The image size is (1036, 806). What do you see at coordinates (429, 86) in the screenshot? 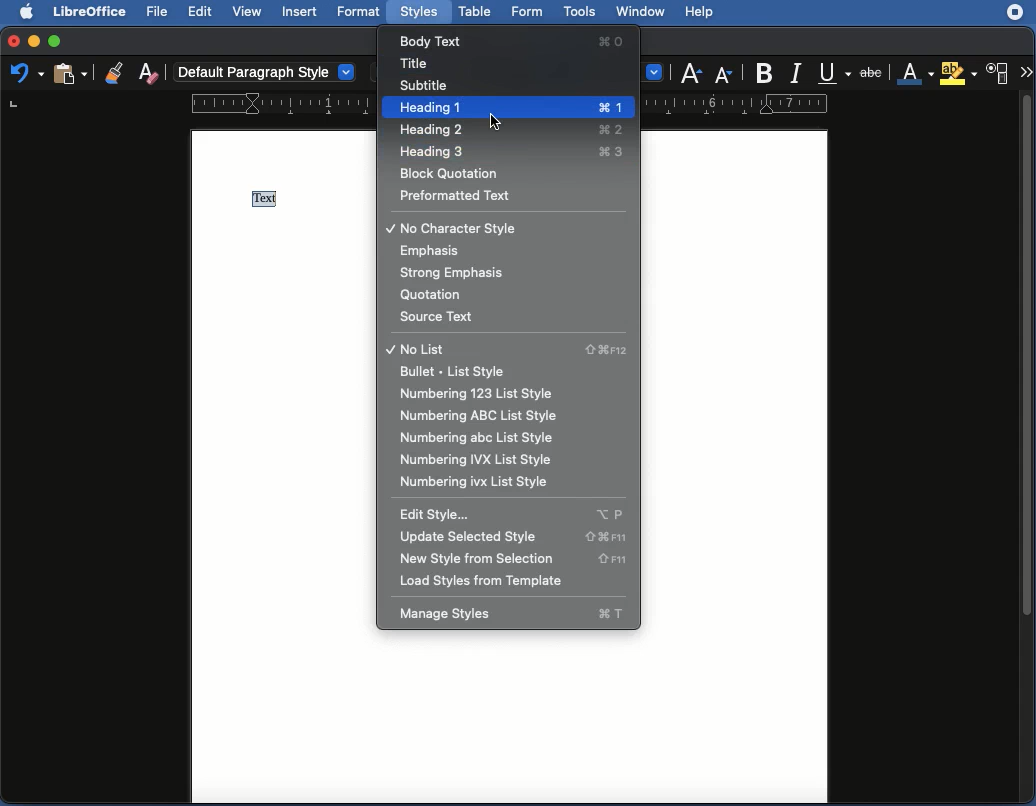
I see `Subtitle ` at bounding box center [429, 86].